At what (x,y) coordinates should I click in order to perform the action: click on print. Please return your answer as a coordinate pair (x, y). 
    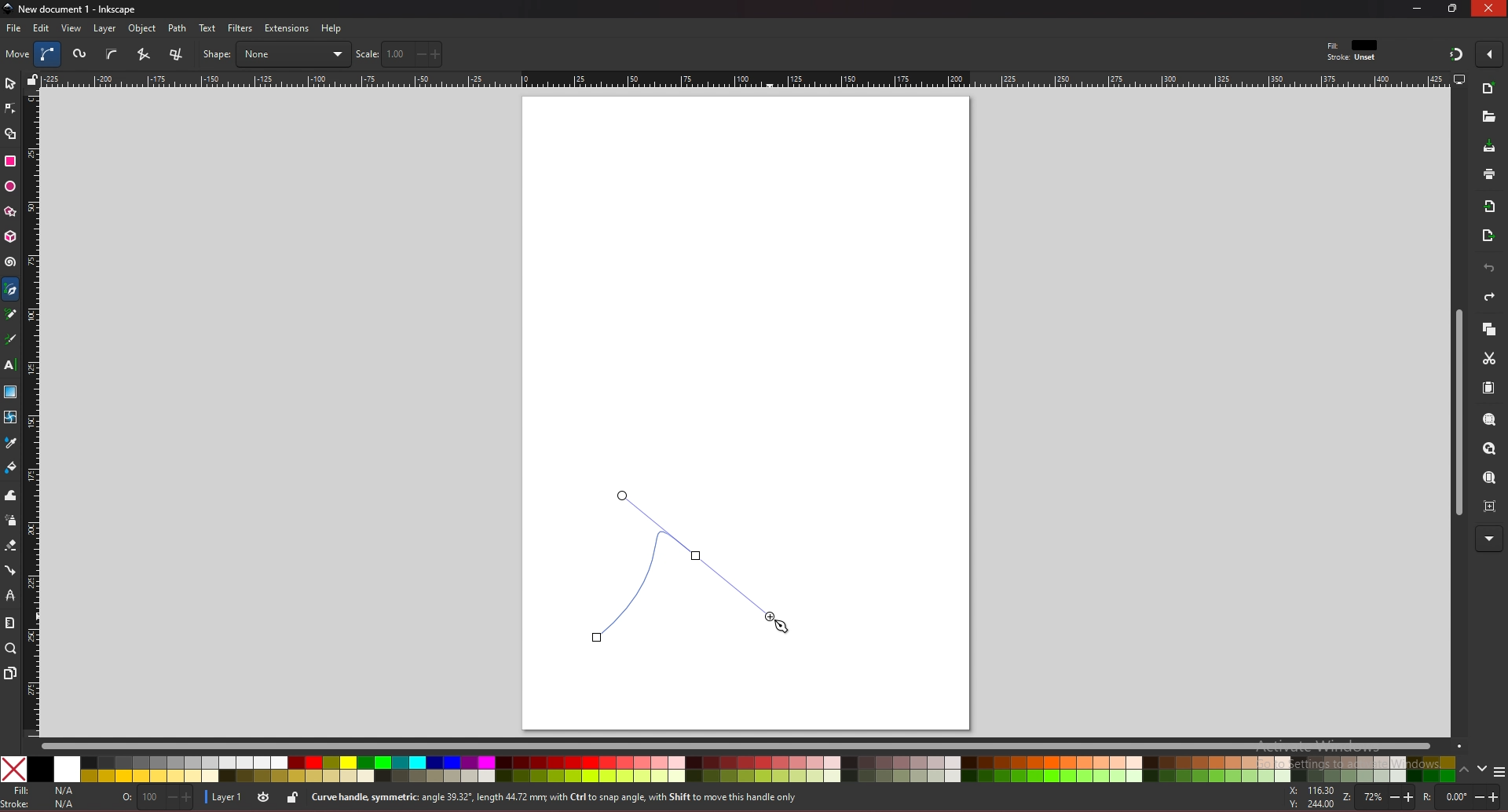
    Looking at the image, I should click on (1489, 174).